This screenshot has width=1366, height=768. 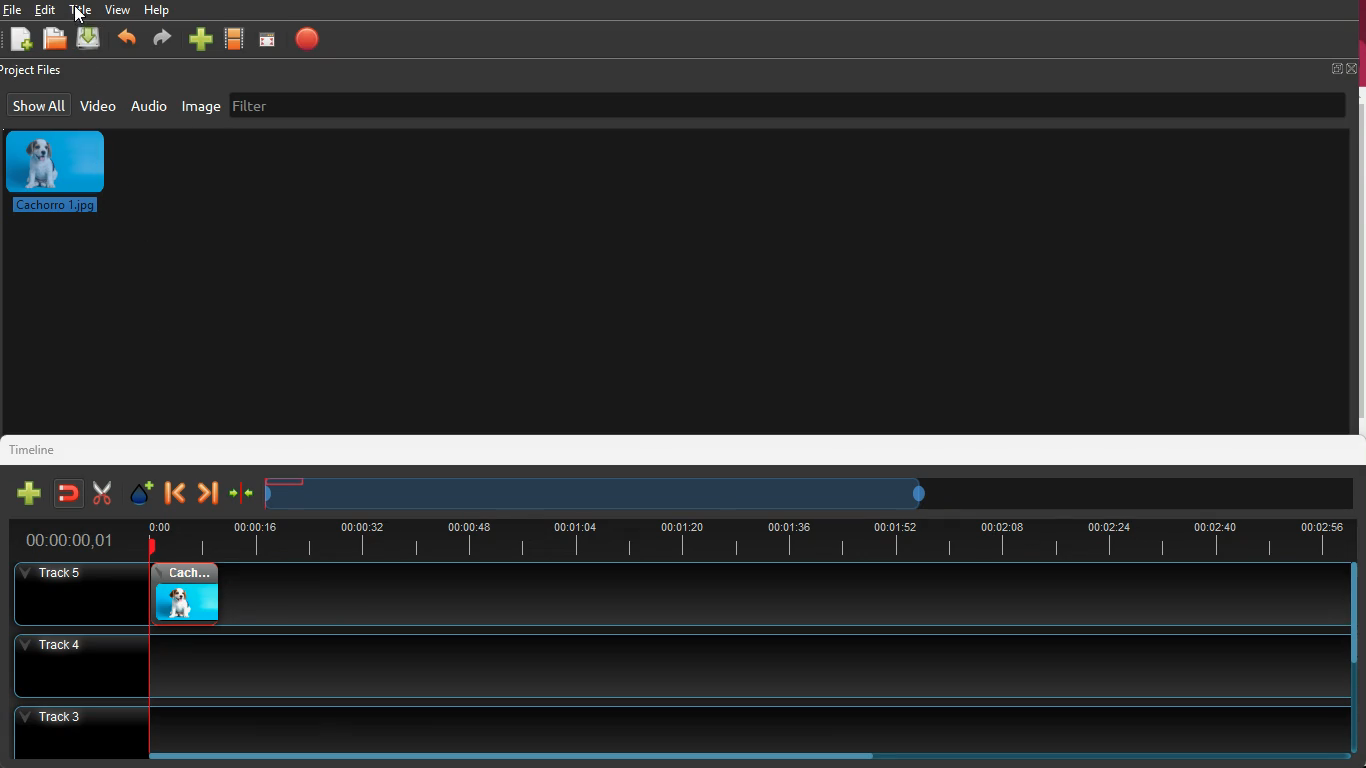 I want to click on forward, so click(x=207, y=494).